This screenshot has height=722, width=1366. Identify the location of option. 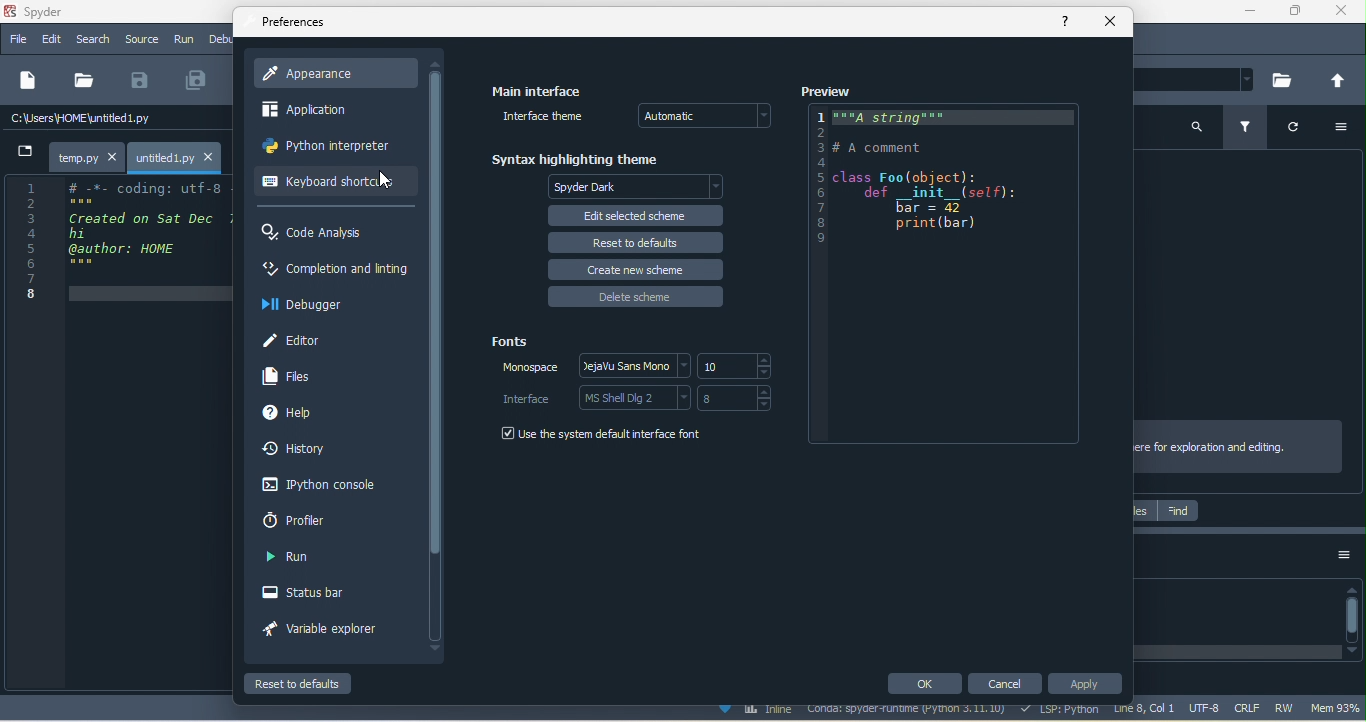
(1338, 129).